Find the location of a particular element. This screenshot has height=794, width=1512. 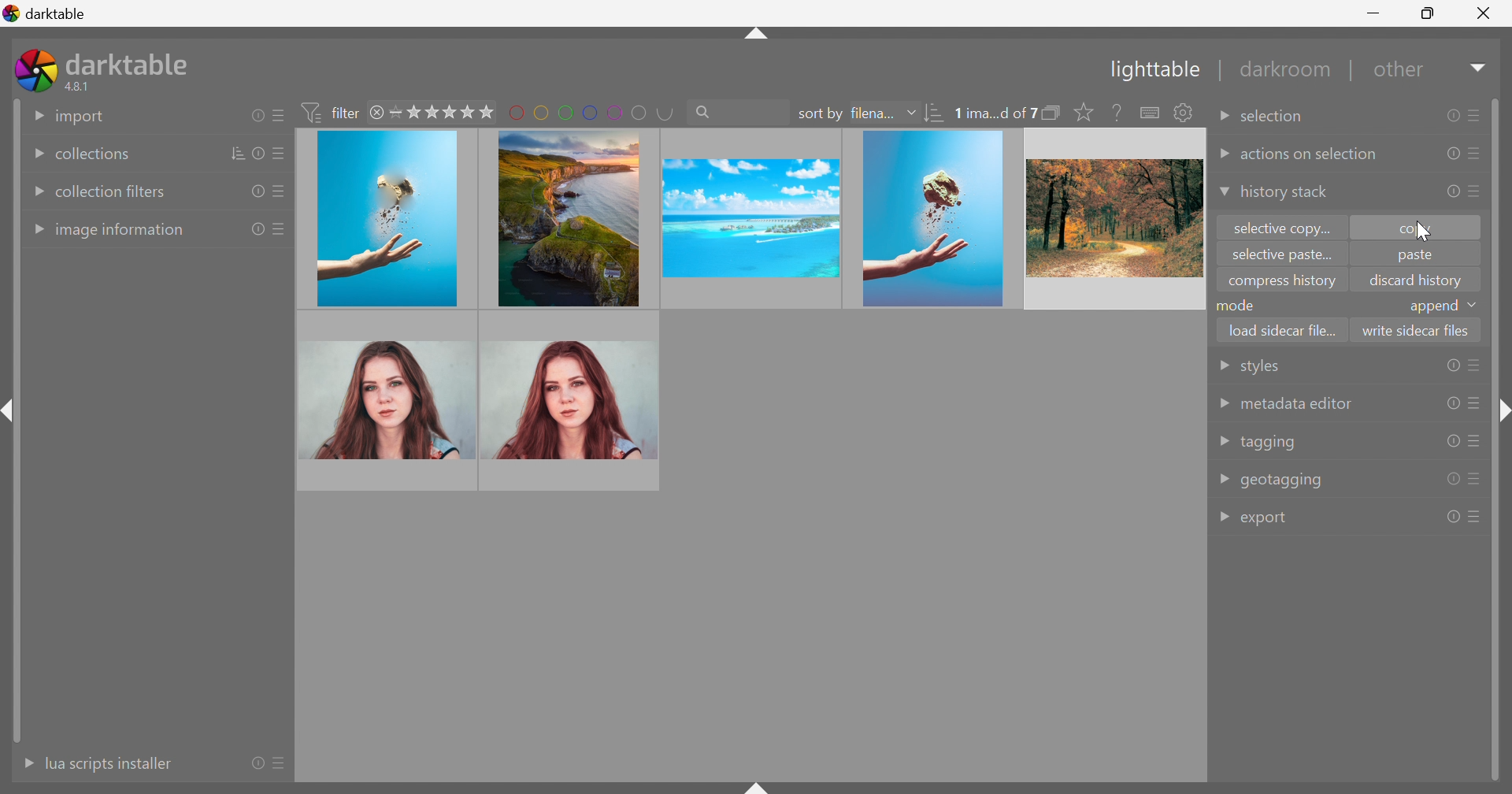

selection is located at coordinates (1277, 117).